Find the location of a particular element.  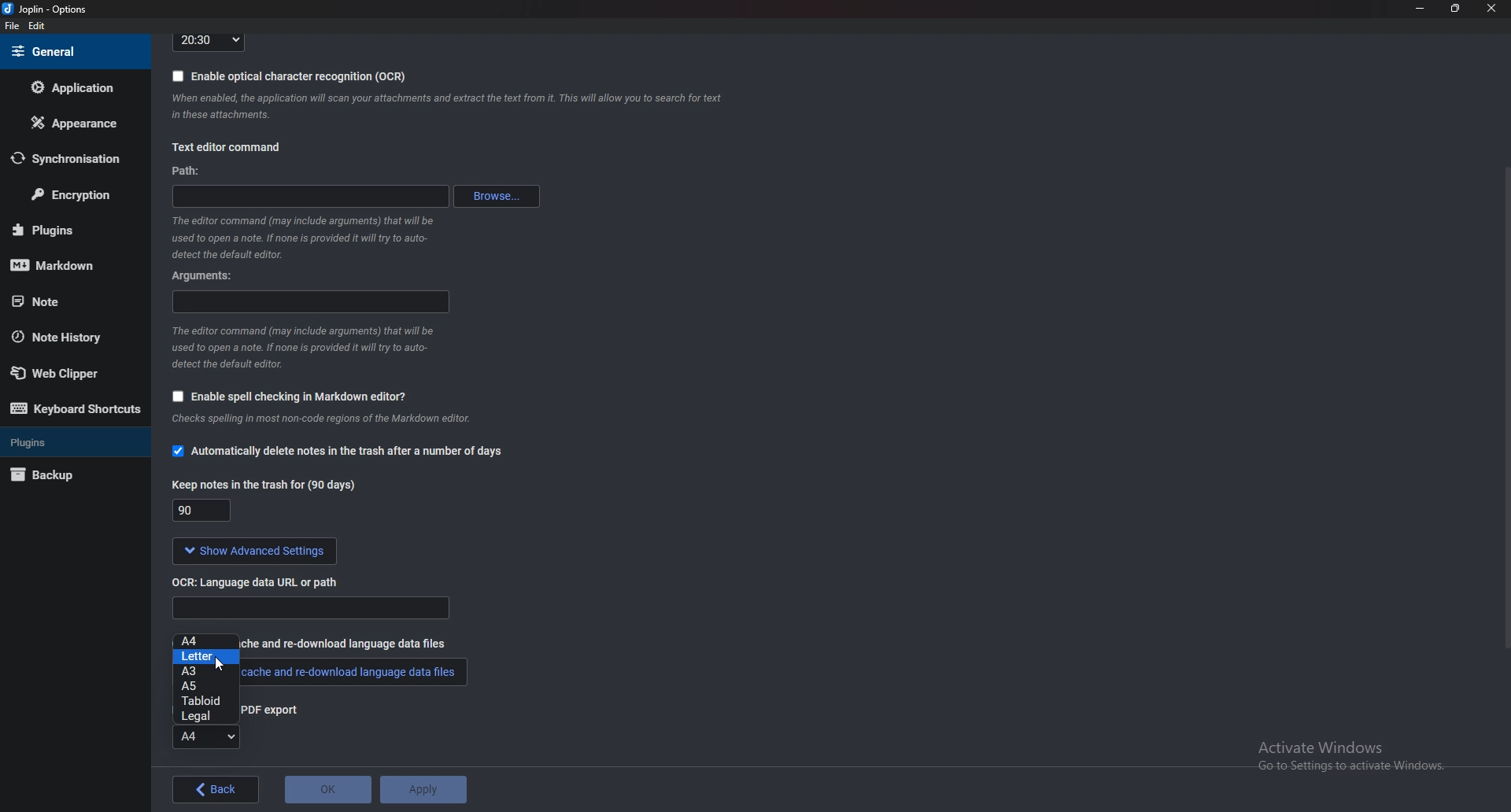

Encryption is located at coordinates (72, 196).